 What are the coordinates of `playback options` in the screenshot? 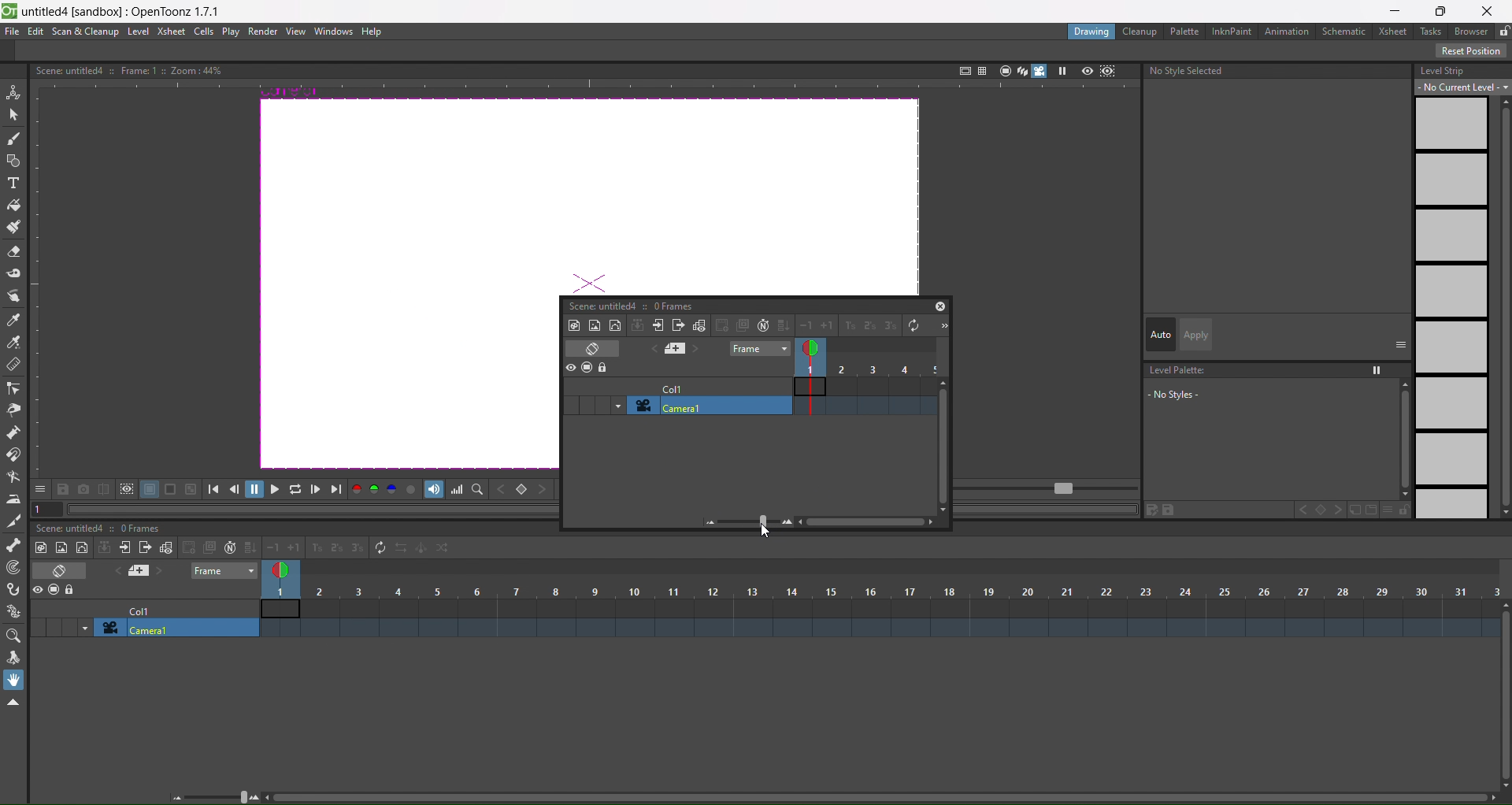 It's located at (276, 492).